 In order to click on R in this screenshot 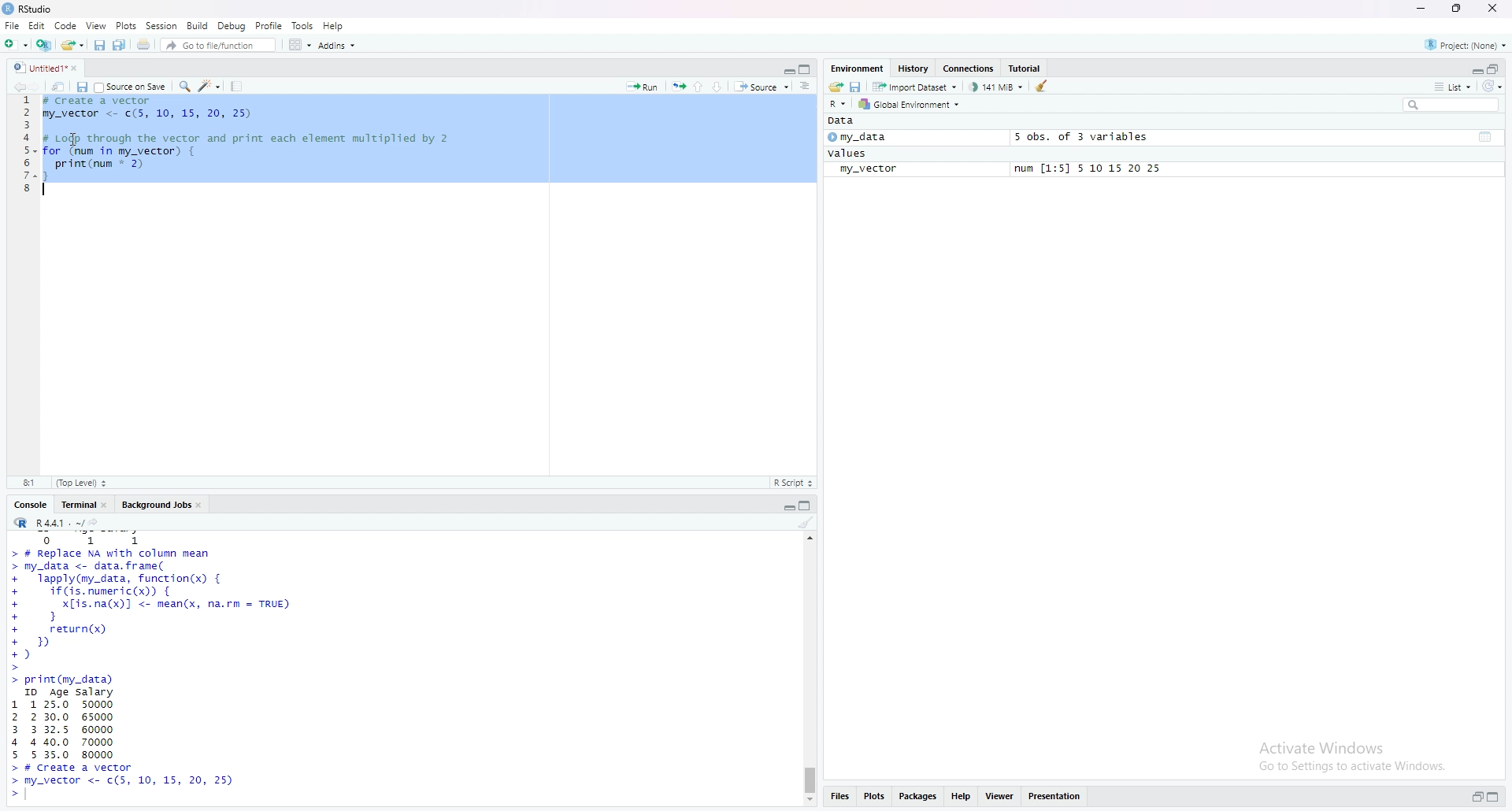, I will do `click(837, 104)`.